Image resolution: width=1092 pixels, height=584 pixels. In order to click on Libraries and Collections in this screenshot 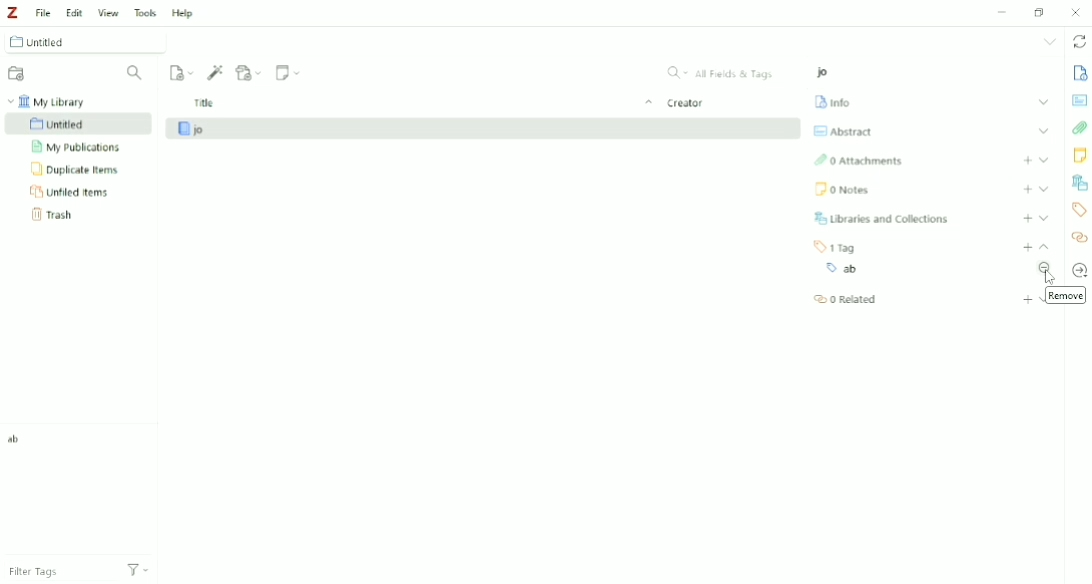, I will do `click(1079, 184)`.